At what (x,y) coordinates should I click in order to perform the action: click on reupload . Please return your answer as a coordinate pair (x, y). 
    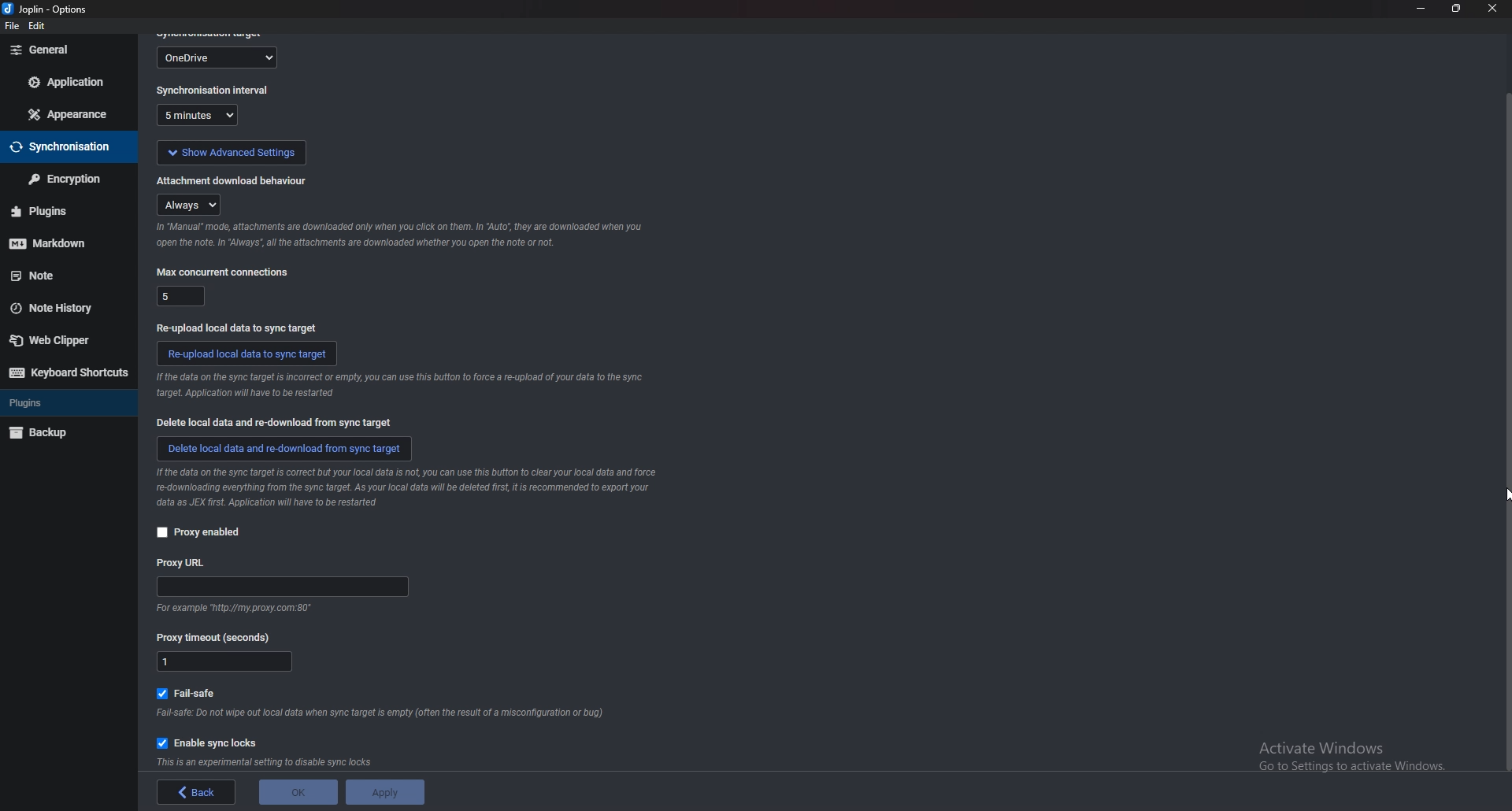
    Looking at the image, I should click on (235, 326).